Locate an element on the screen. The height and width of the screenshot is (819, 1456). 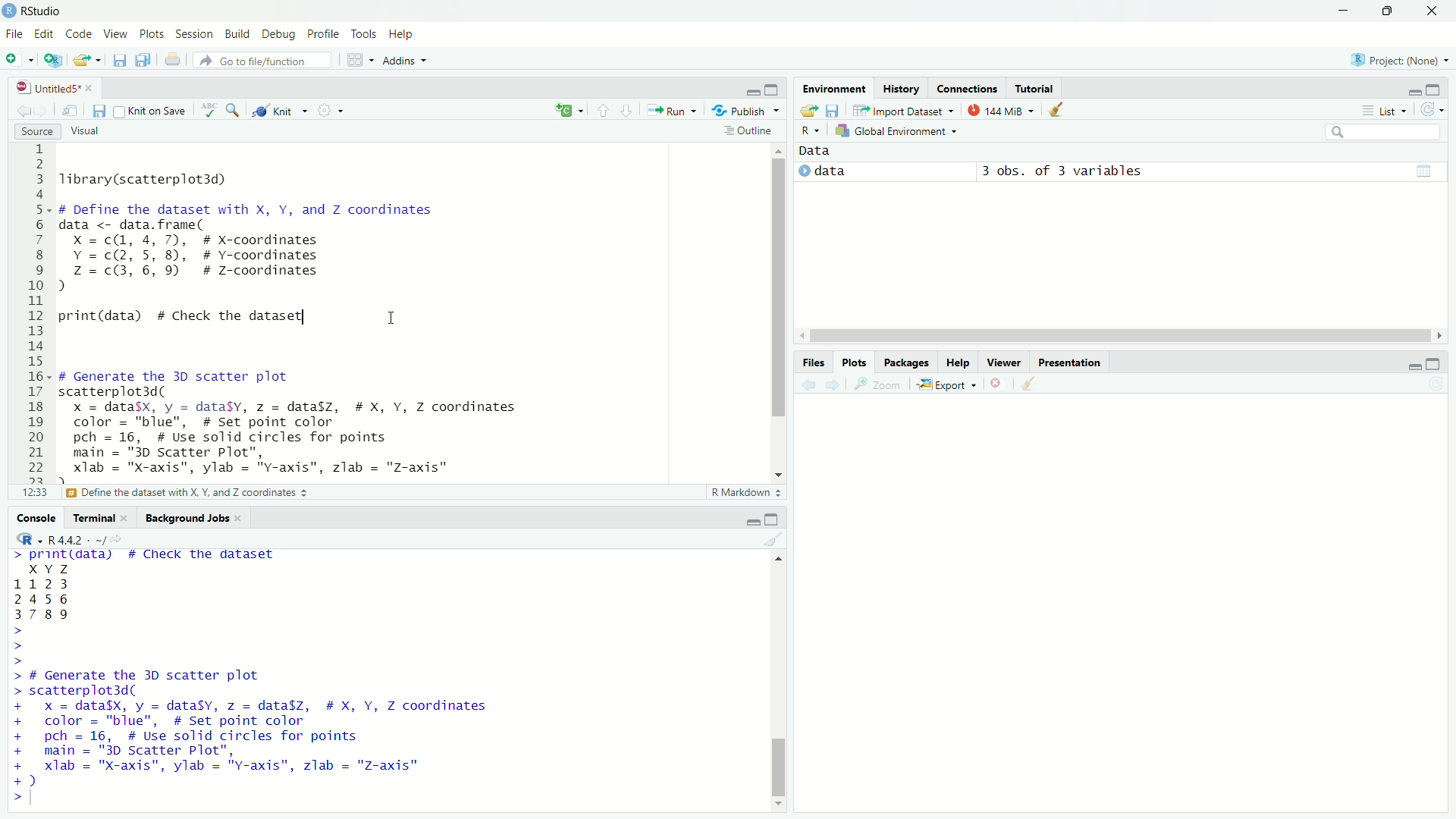
12:33 is located at coordinates (32, 493).